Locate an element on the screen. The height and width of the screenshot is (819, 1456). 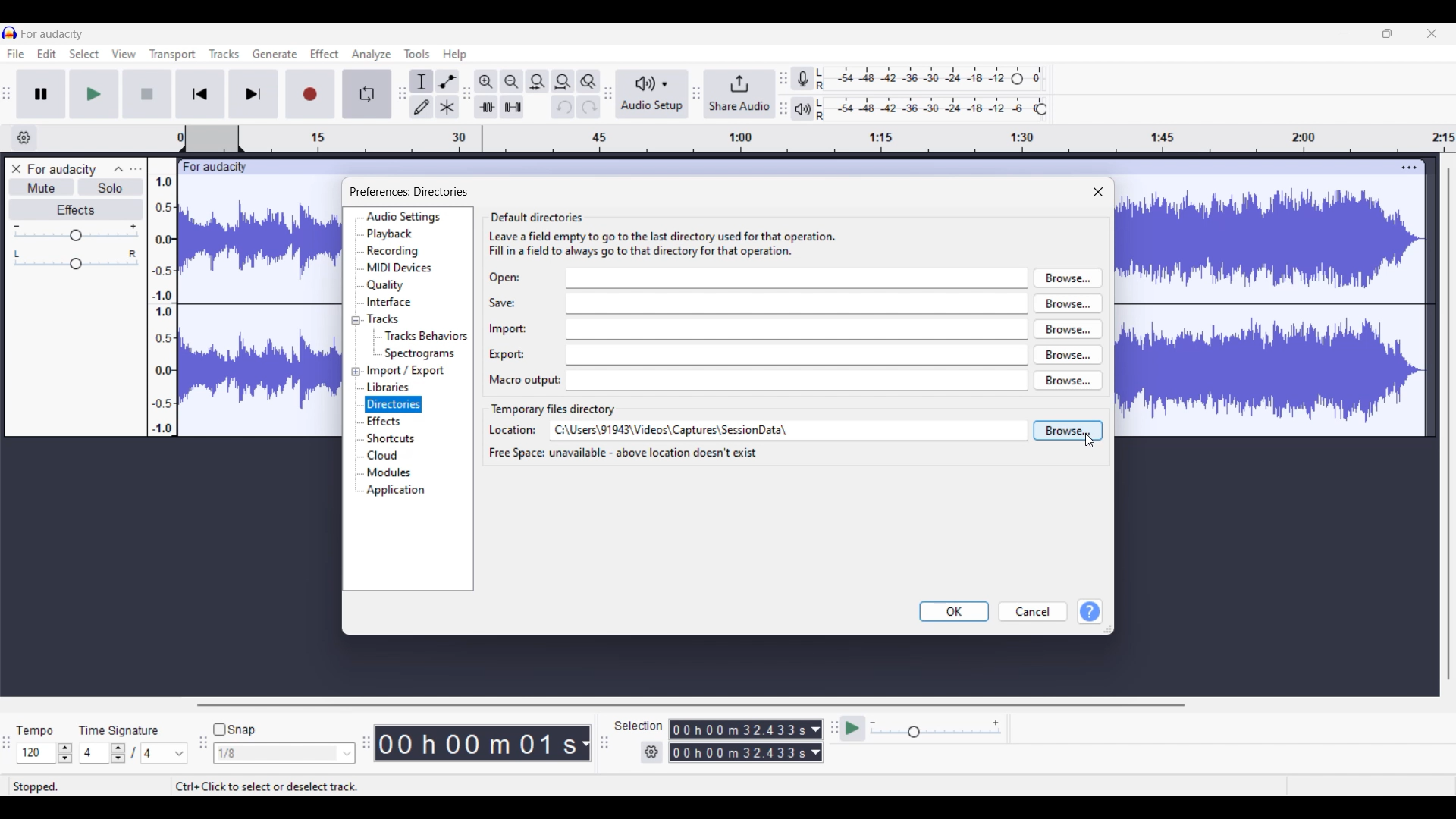
Collapse/Expand is located at coordinates (356, 346).